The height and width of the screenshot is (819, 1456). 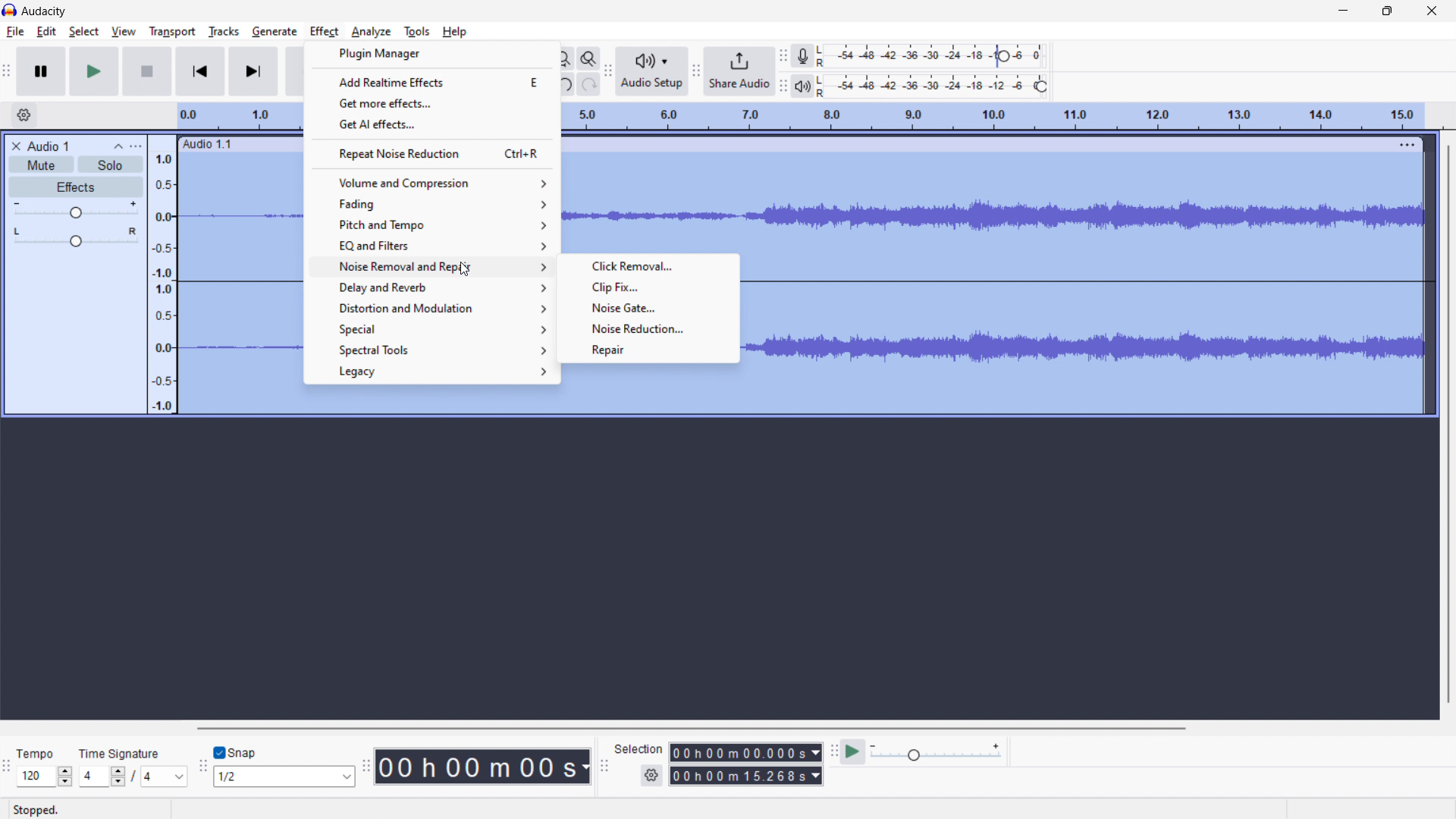 I want to click on , so click(x=648, y=329).